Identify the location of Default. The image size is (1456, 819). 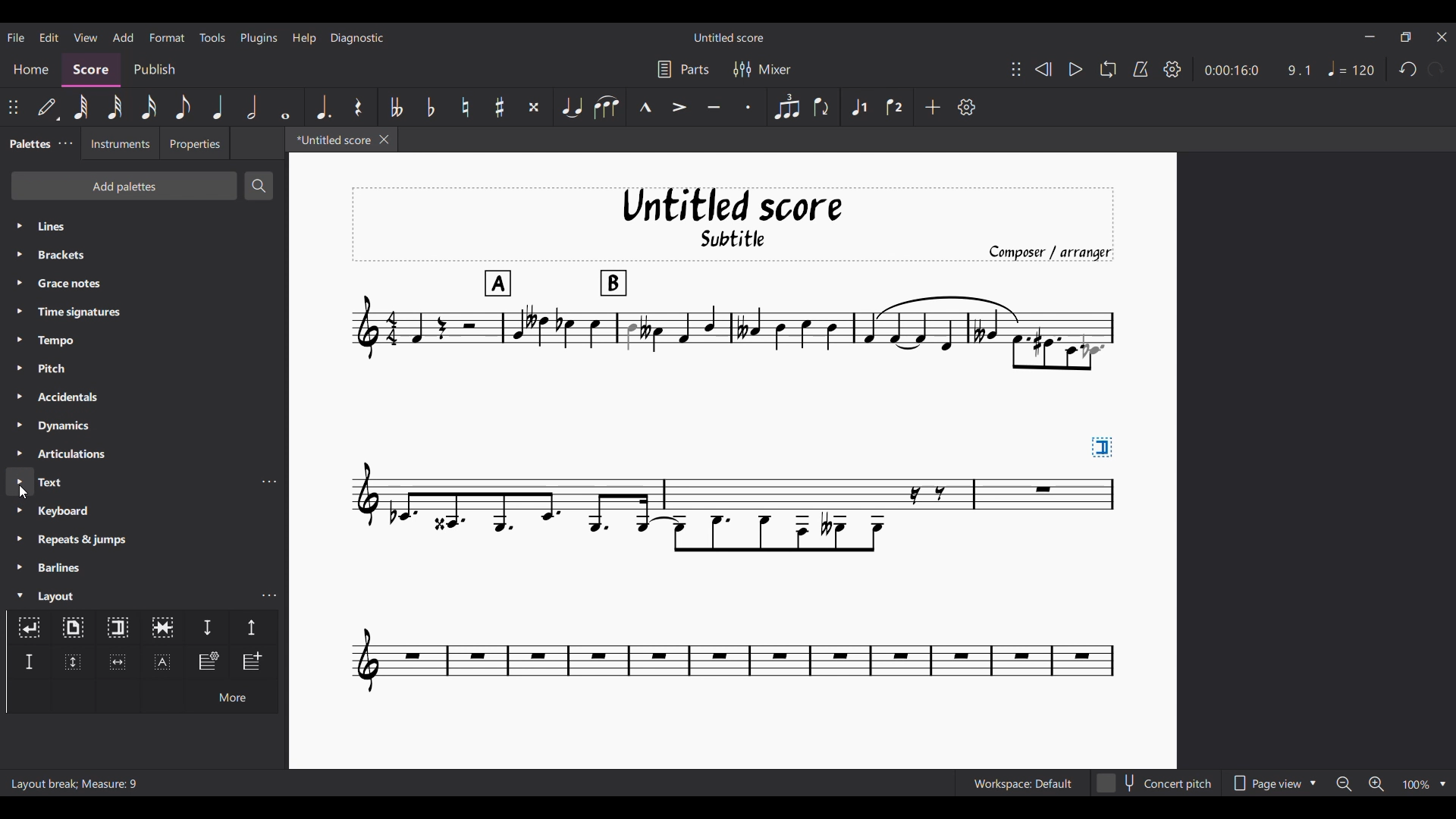
(48, 107).